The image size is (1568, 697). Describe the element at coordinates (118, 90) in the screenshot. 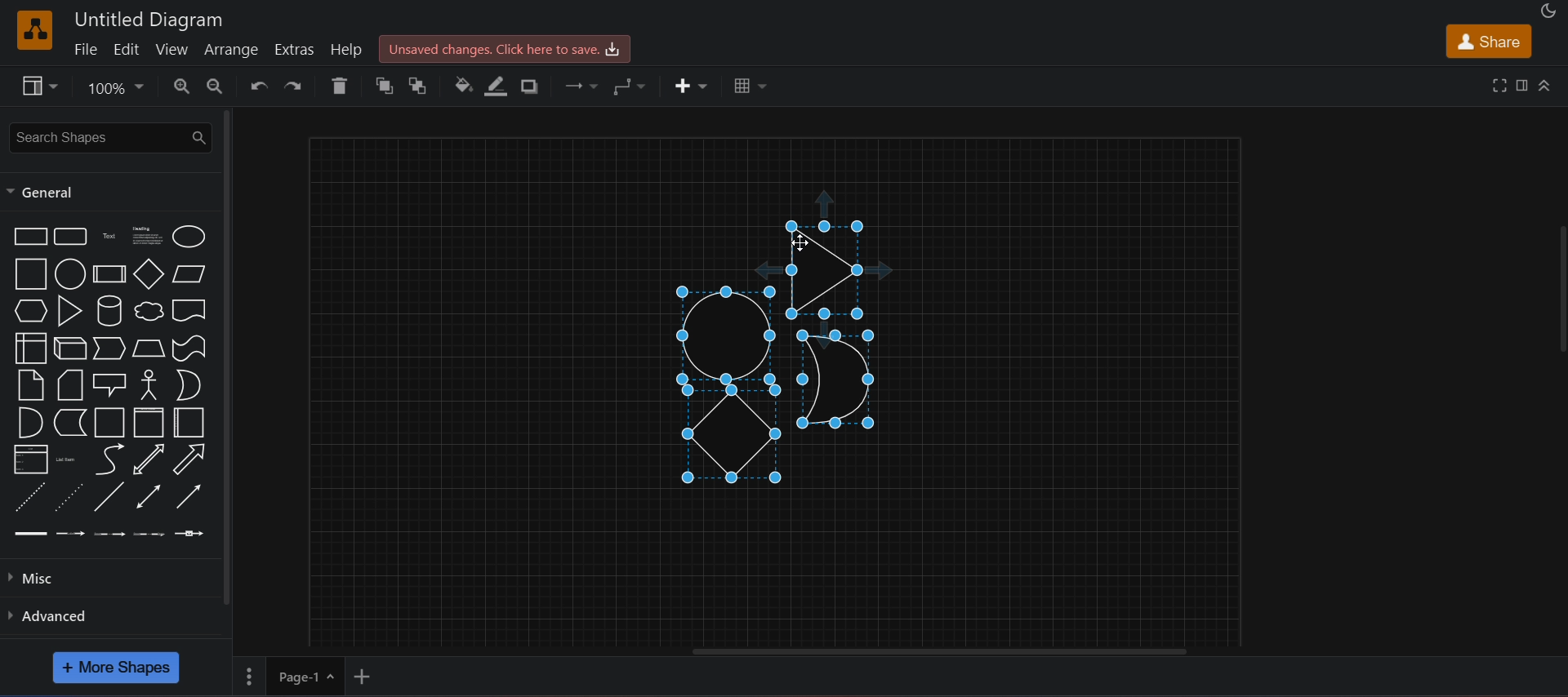

I see `zoom` at that location.